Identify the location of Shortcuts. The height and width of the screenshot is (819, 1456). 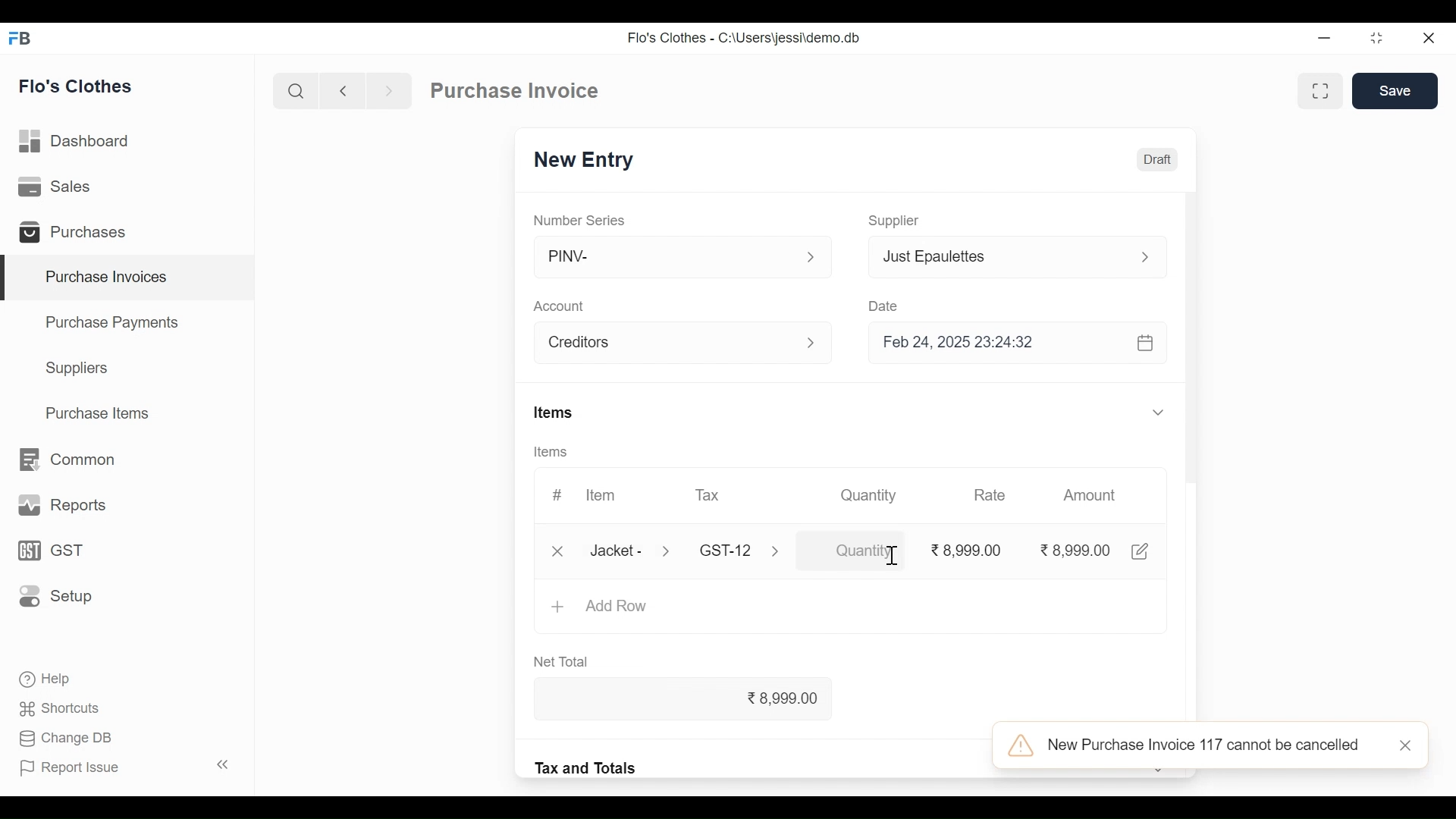
(60, 710).